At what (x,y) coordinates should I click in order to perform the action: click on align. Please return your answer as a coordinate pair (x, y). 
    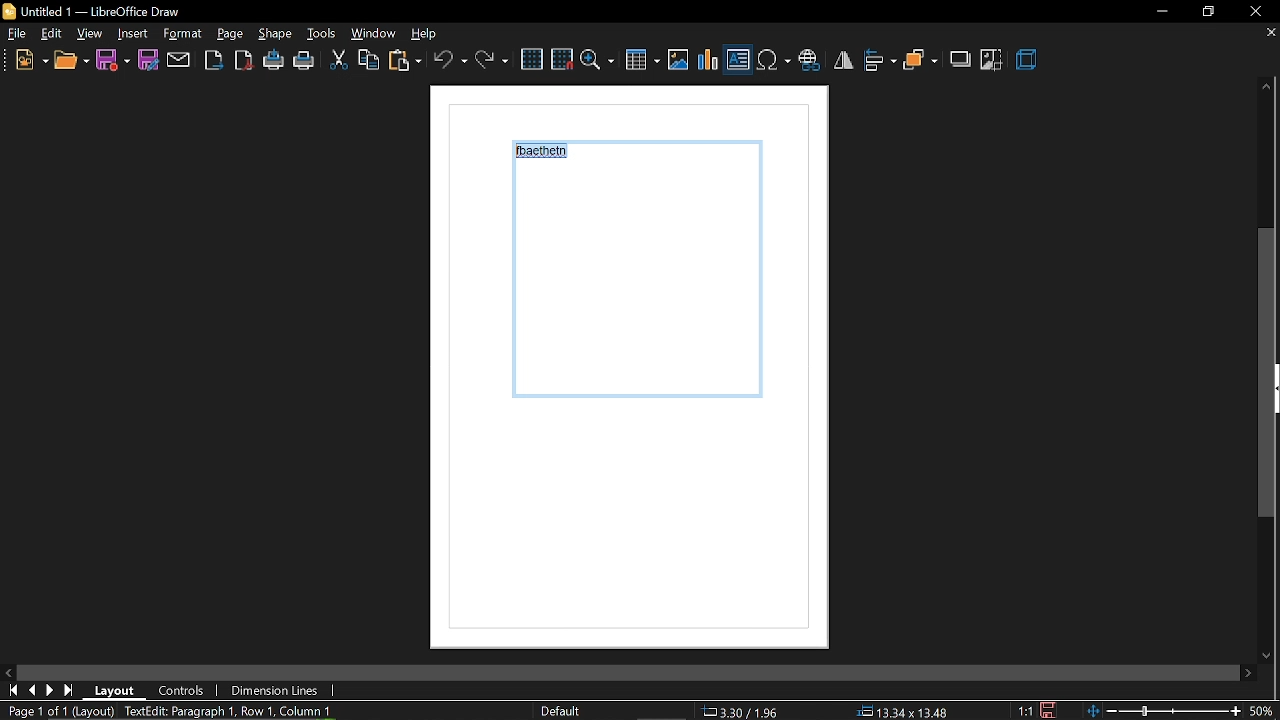
    Looking at the image, I should click on (880, 62).